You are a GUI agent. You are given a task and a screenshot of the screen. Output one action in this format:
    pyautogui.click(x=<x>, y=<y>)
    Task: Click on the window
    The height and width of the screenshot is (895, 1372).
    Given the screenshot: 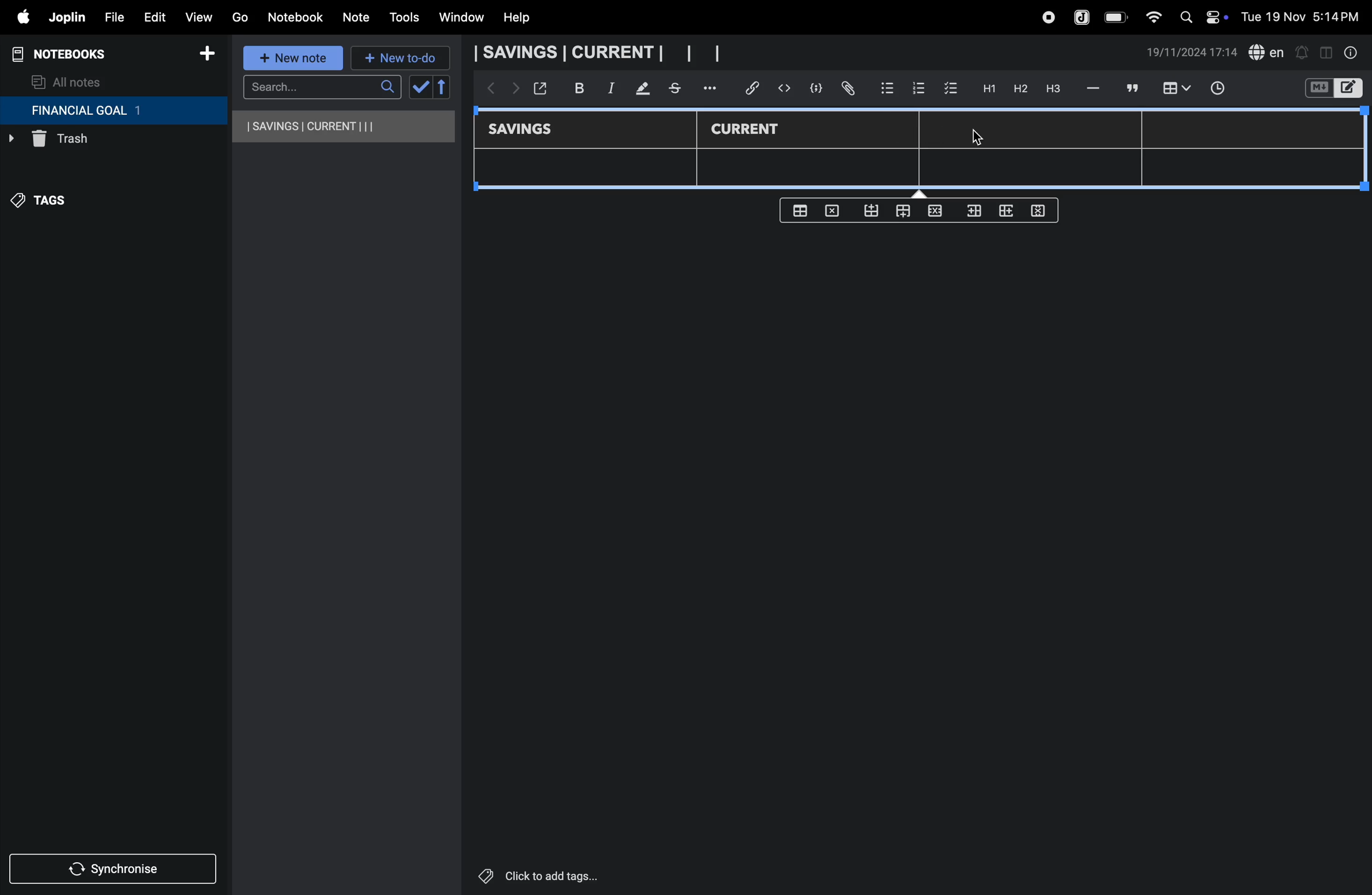 What is the action you would take?
    pyautogui.click(x=460, y=18)
    